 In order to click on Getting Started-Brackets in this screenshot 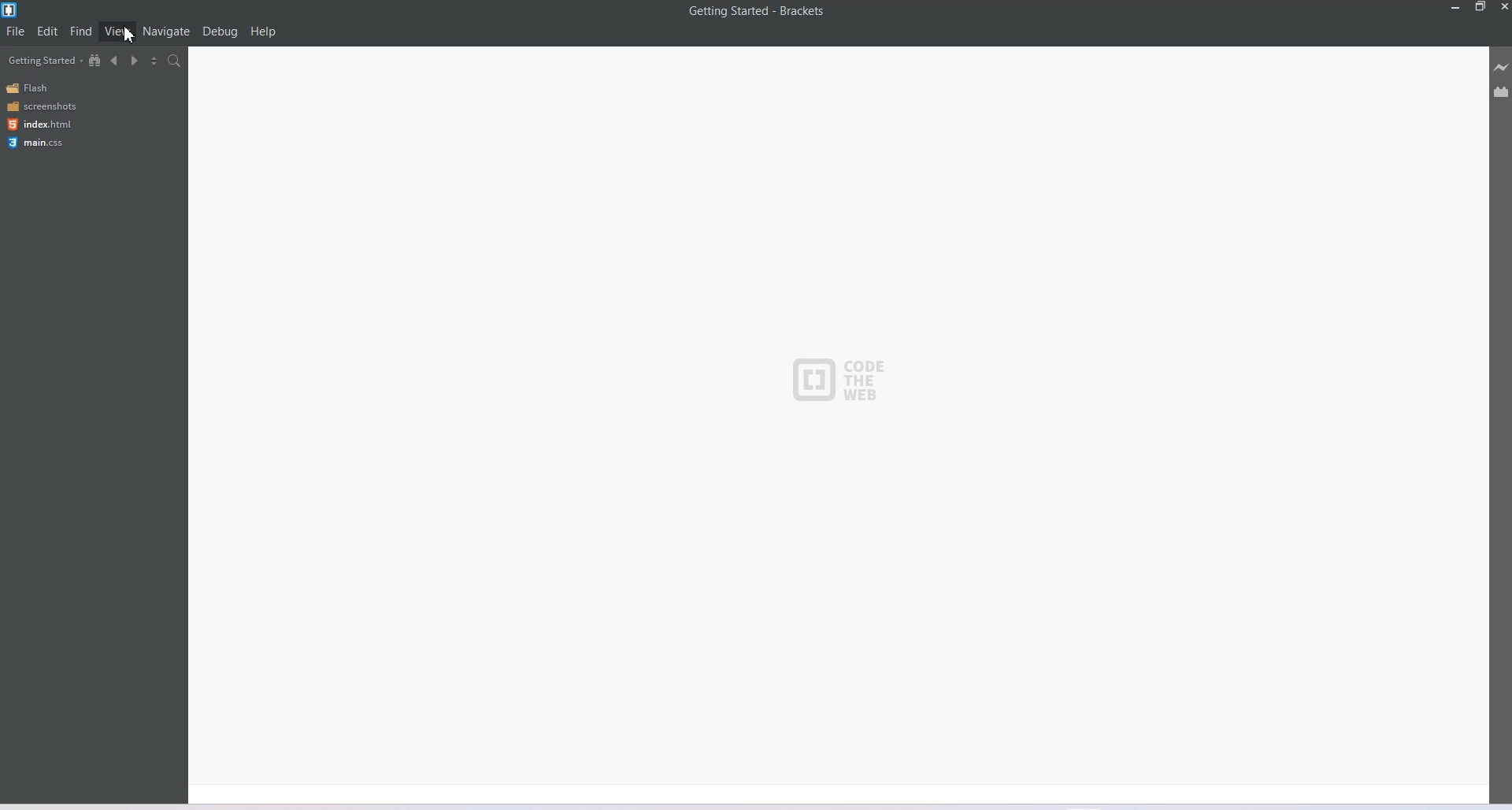, I will do `click(757, 12)`.